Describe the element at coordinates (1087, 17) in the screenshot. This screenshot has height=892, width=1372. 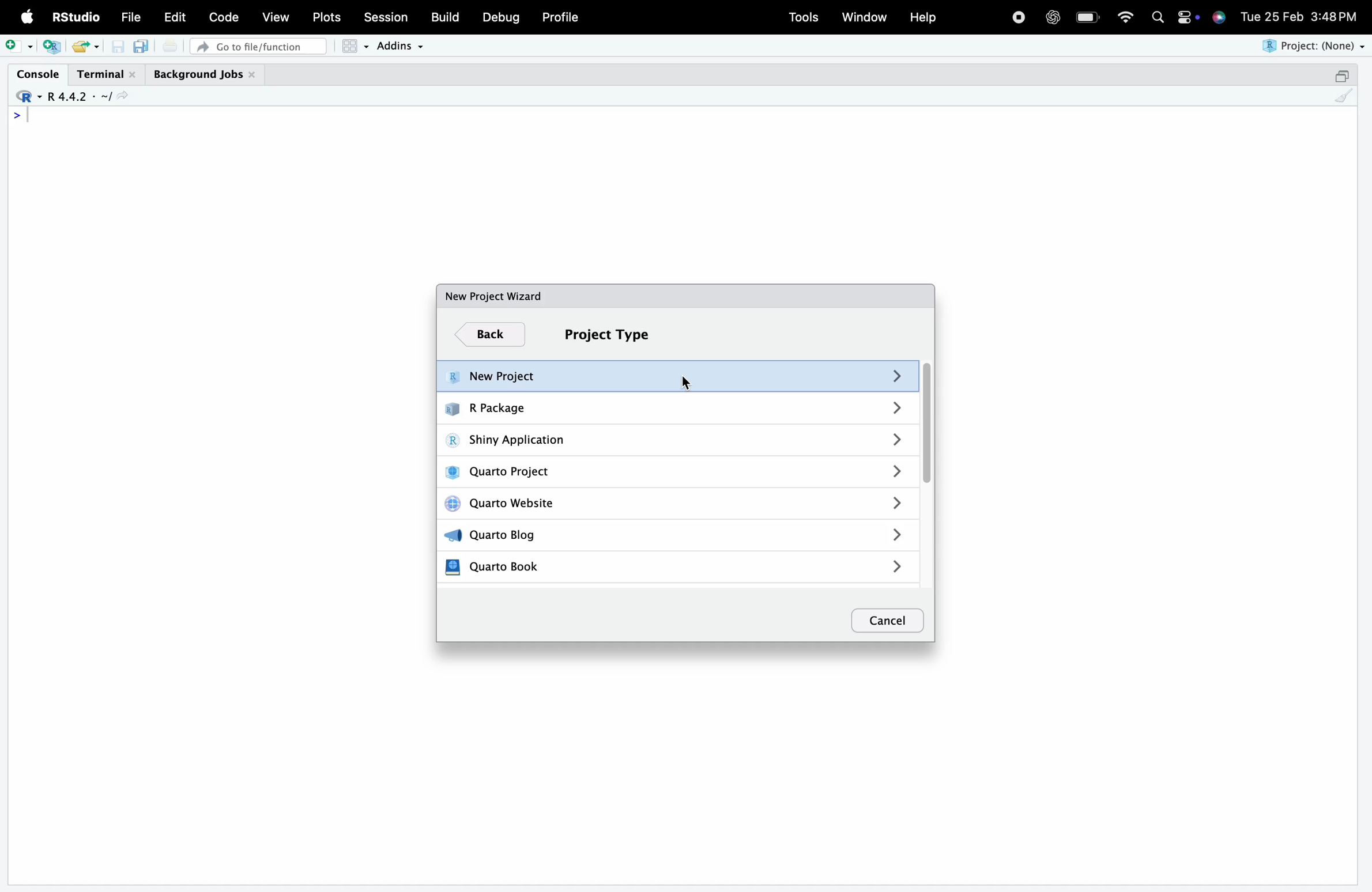
I see `battery` at that location.